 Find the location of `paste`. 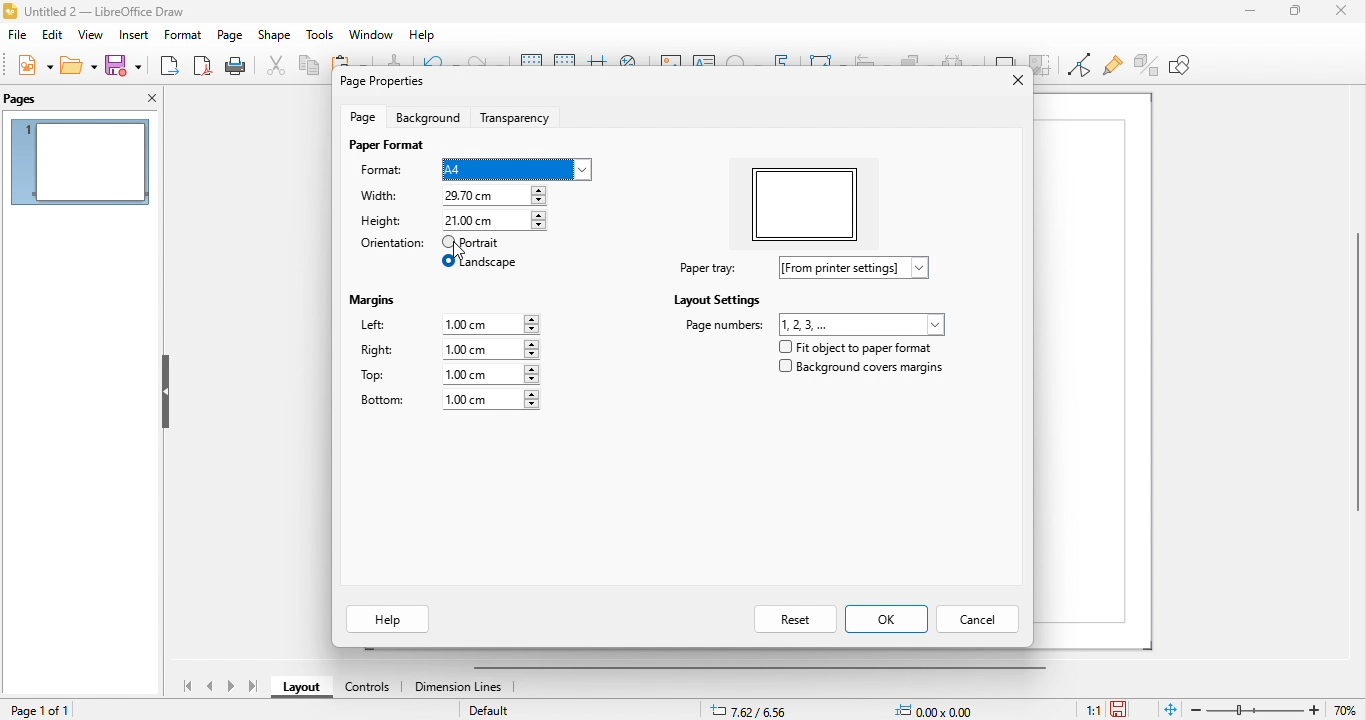

paste is located at coordinates (347, 59).